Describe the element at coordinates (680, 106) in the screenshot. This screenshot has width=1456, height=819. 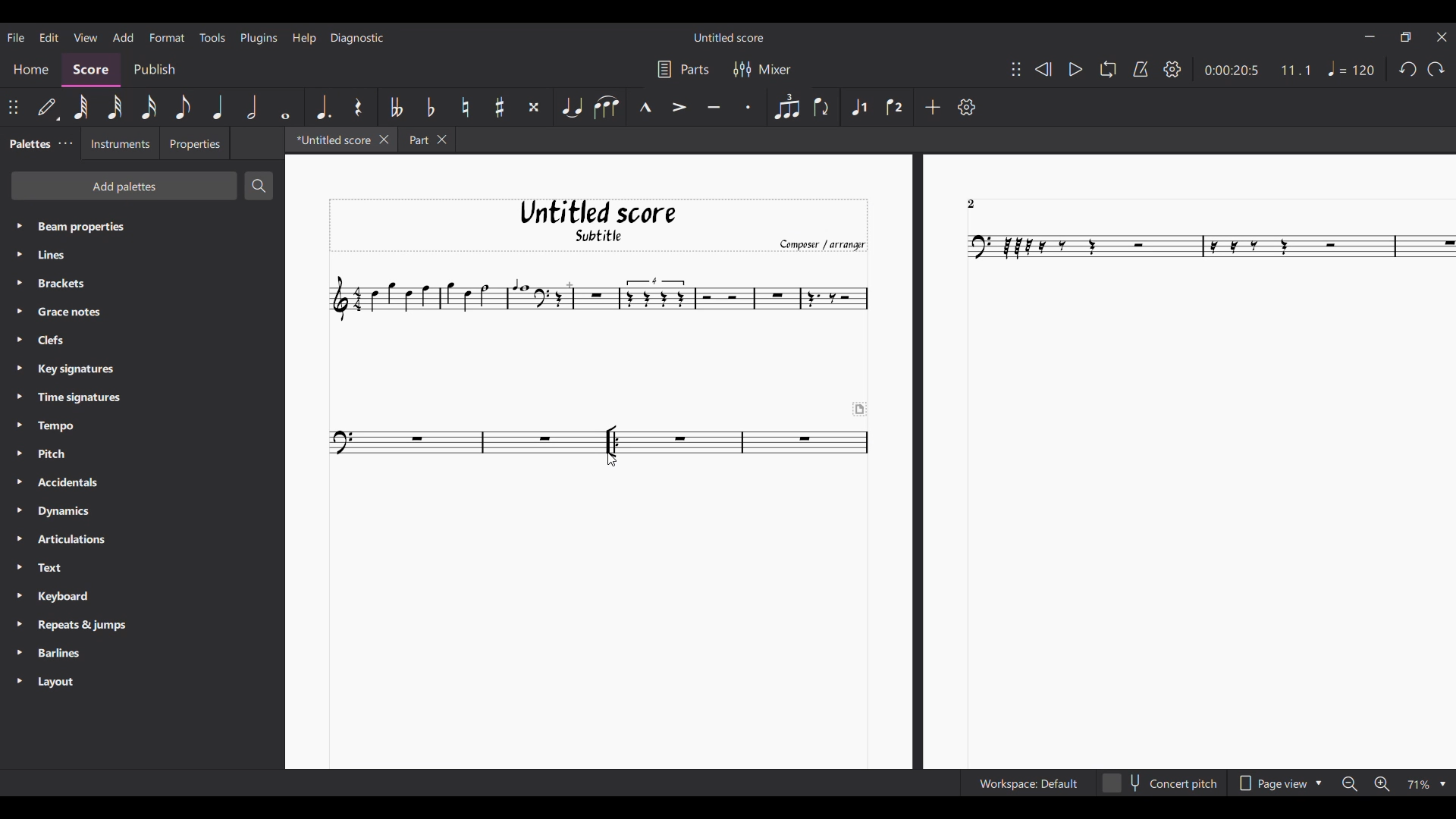
I see `Accent` at that location.